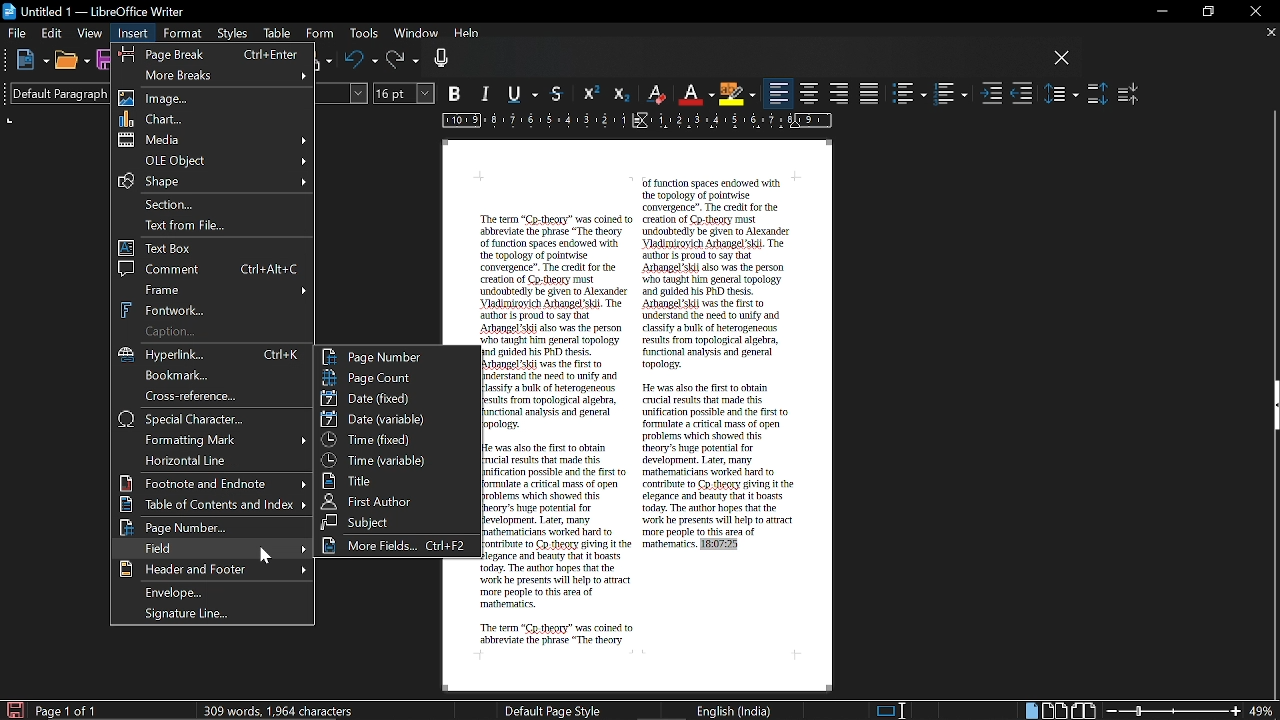  What do you see at coordinates (210, 52) in the screenshot?
I see `Page break` at bounding box center [210, 52].